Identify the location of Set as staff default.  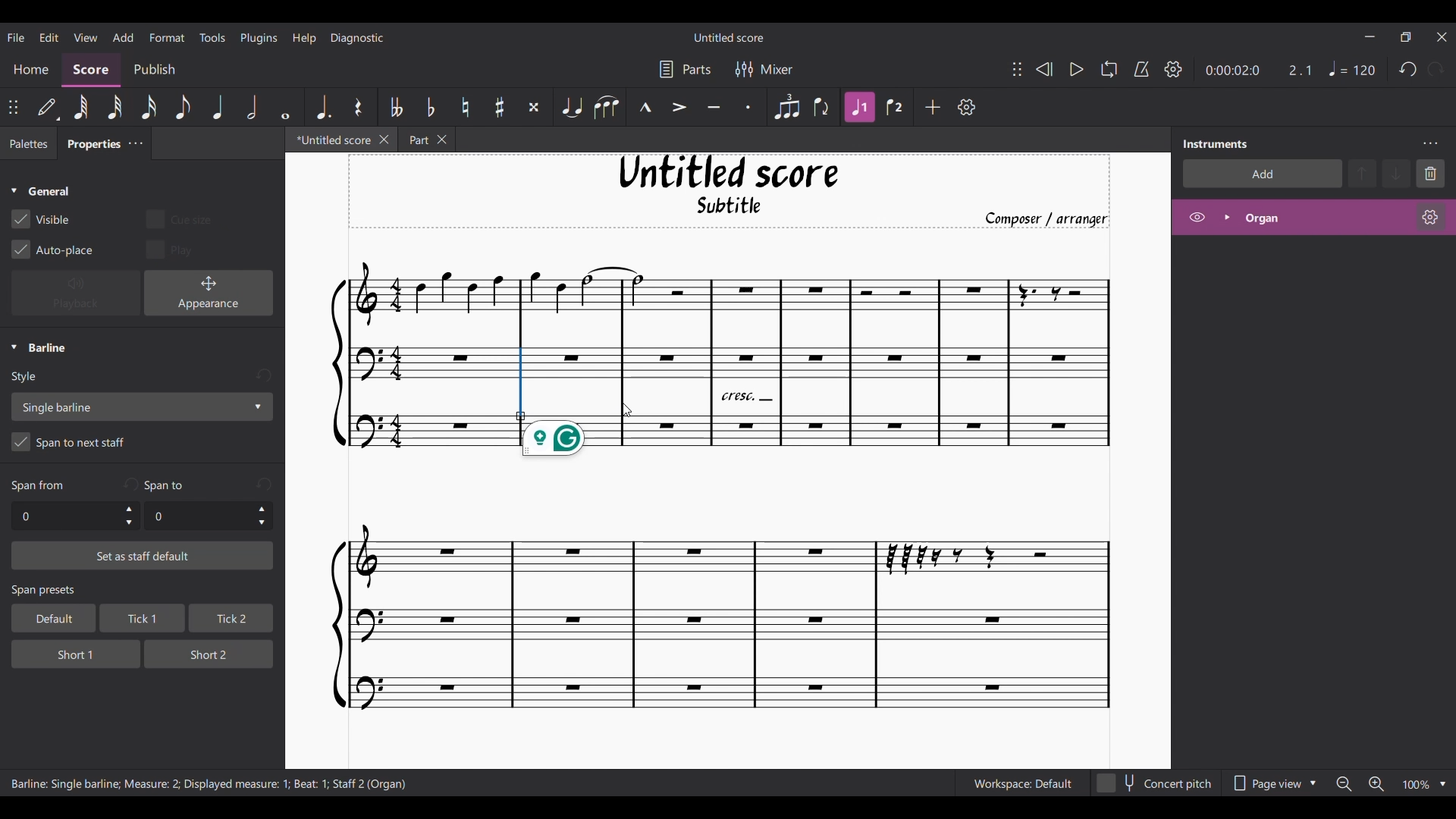
(143, 556).